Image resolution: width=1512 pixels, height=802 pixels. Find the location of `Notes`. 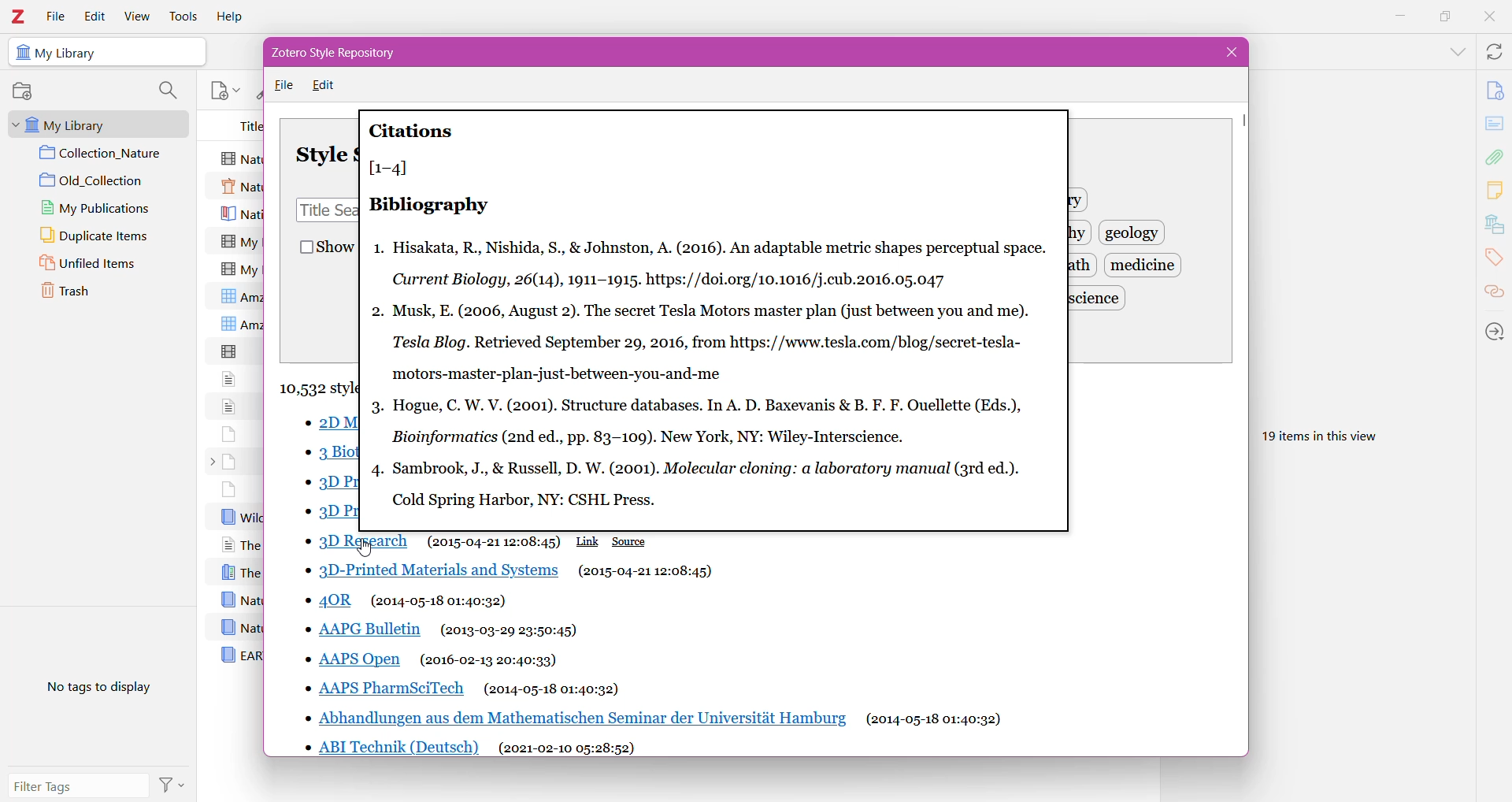

Notes is located at coordinates (1496, 191).